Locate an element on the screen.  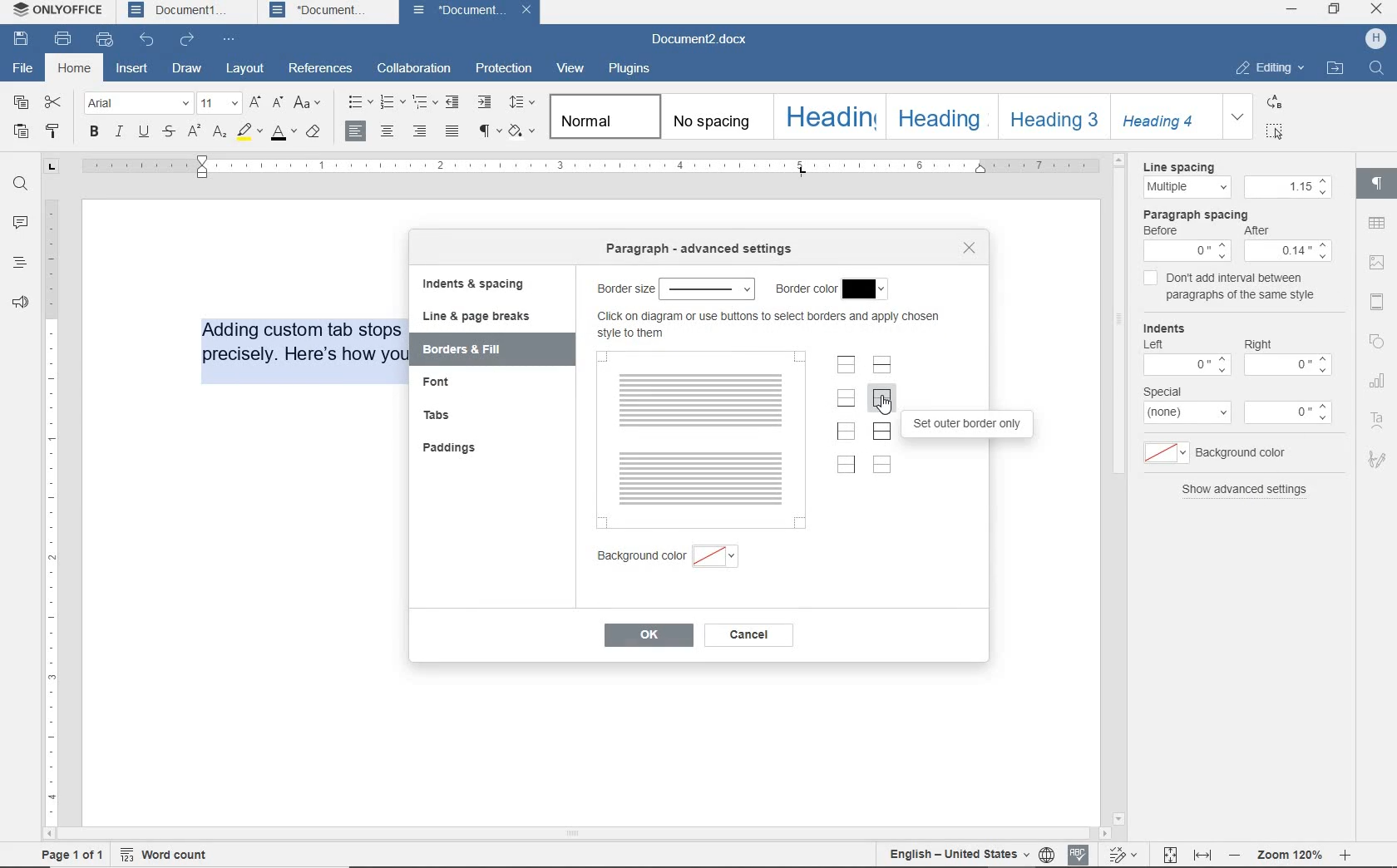
menu is located at coordinates (1291, 412).